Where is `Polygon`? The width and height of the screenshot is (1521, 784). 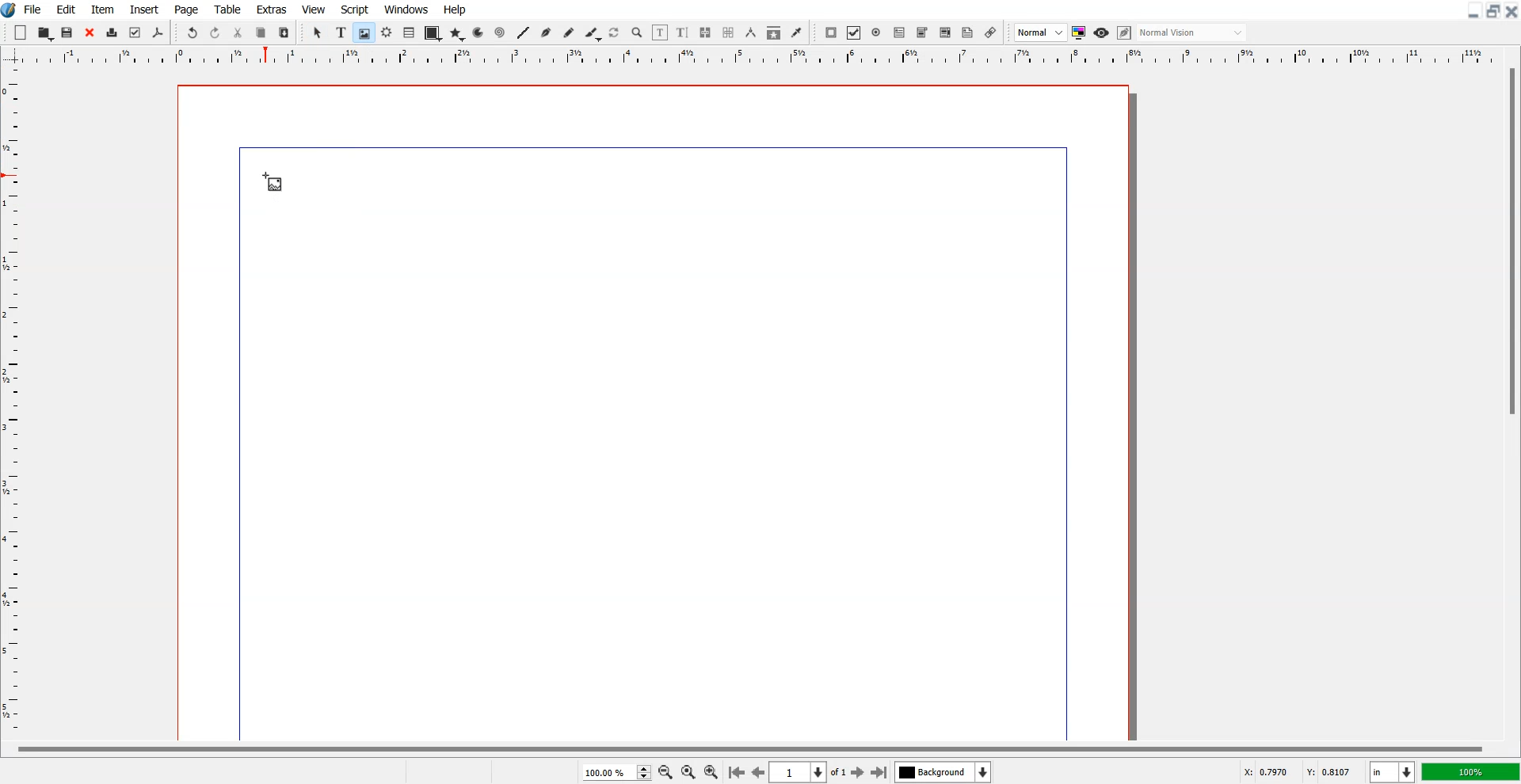
Polygon is located at coordinates (457, 35).